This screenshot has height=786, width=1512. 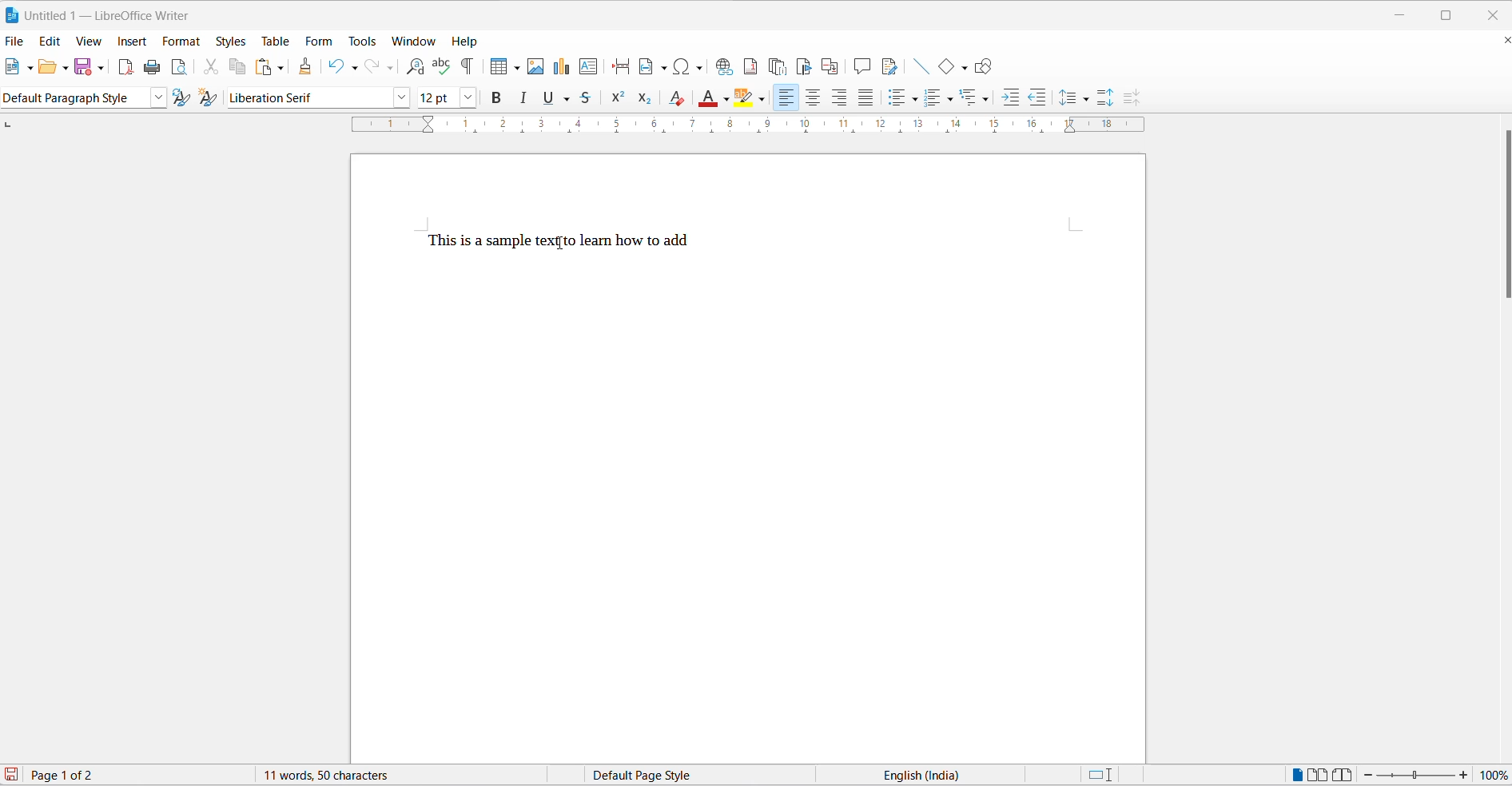 What do you see at coordinates (515, 69) in the screenshot?
I see `table grid` at bounding box center [515, 69].